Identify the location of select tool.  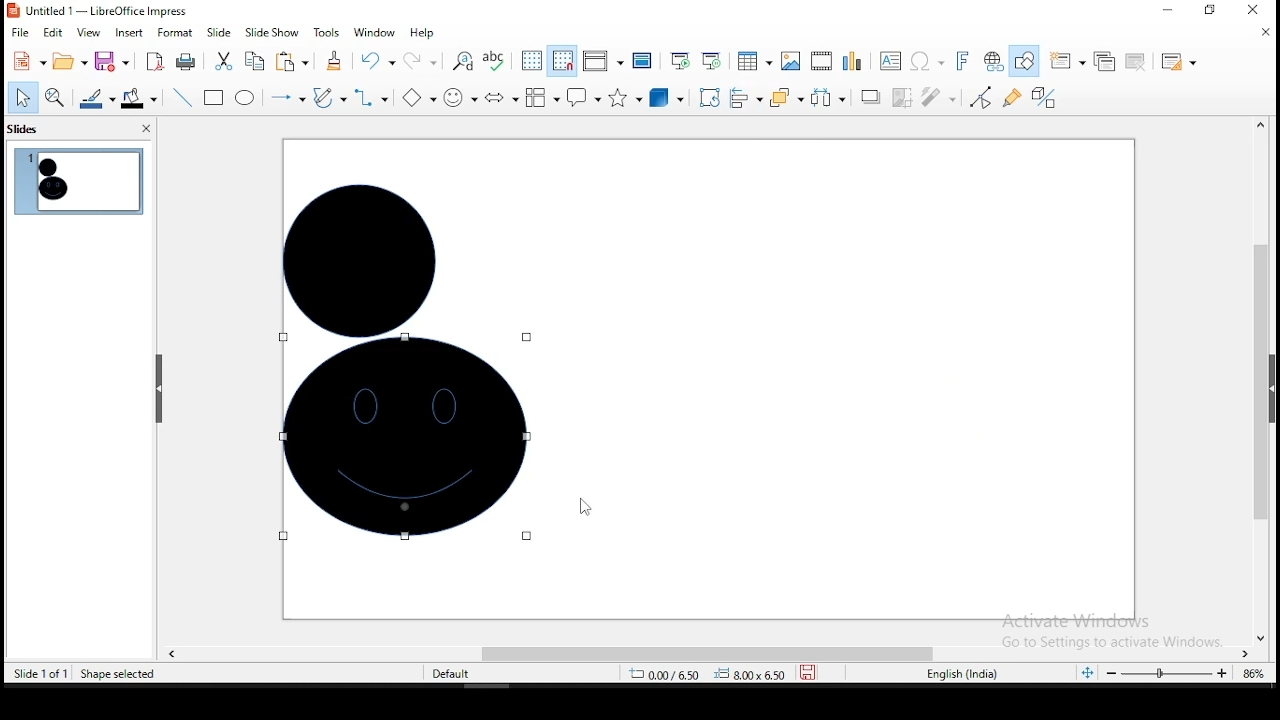
(23, 97).